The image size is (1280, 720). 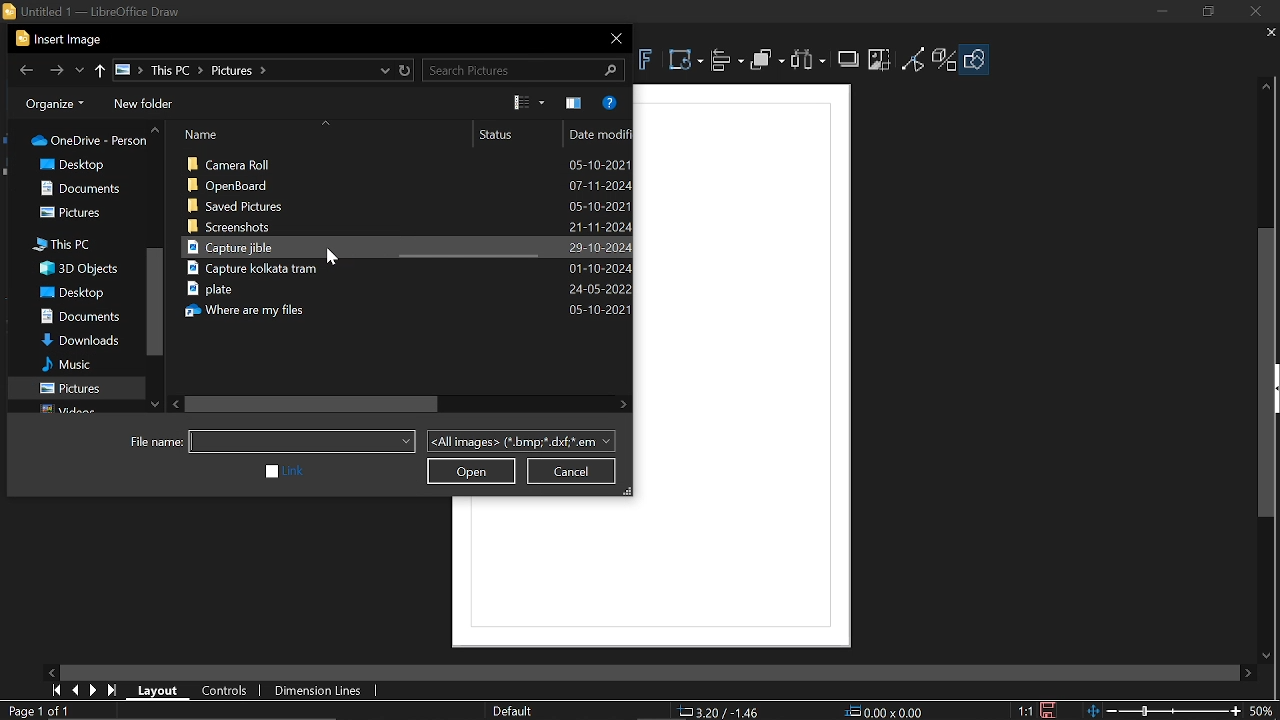 What do you see at coordinates (811, 62) in the screenshot?
I see `Select at least three objects to distribute` at bounding box center [811, 62].